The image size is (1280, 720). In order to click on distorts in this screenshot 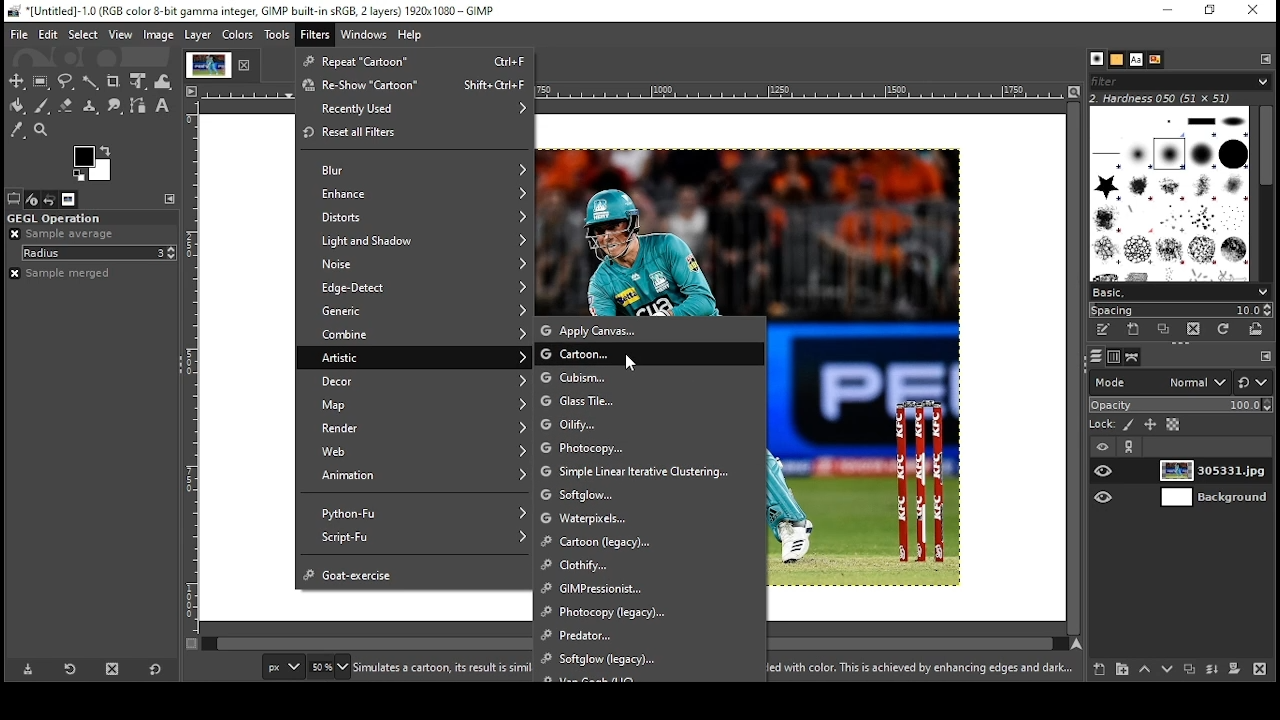, I will do `click(414, 216)`.